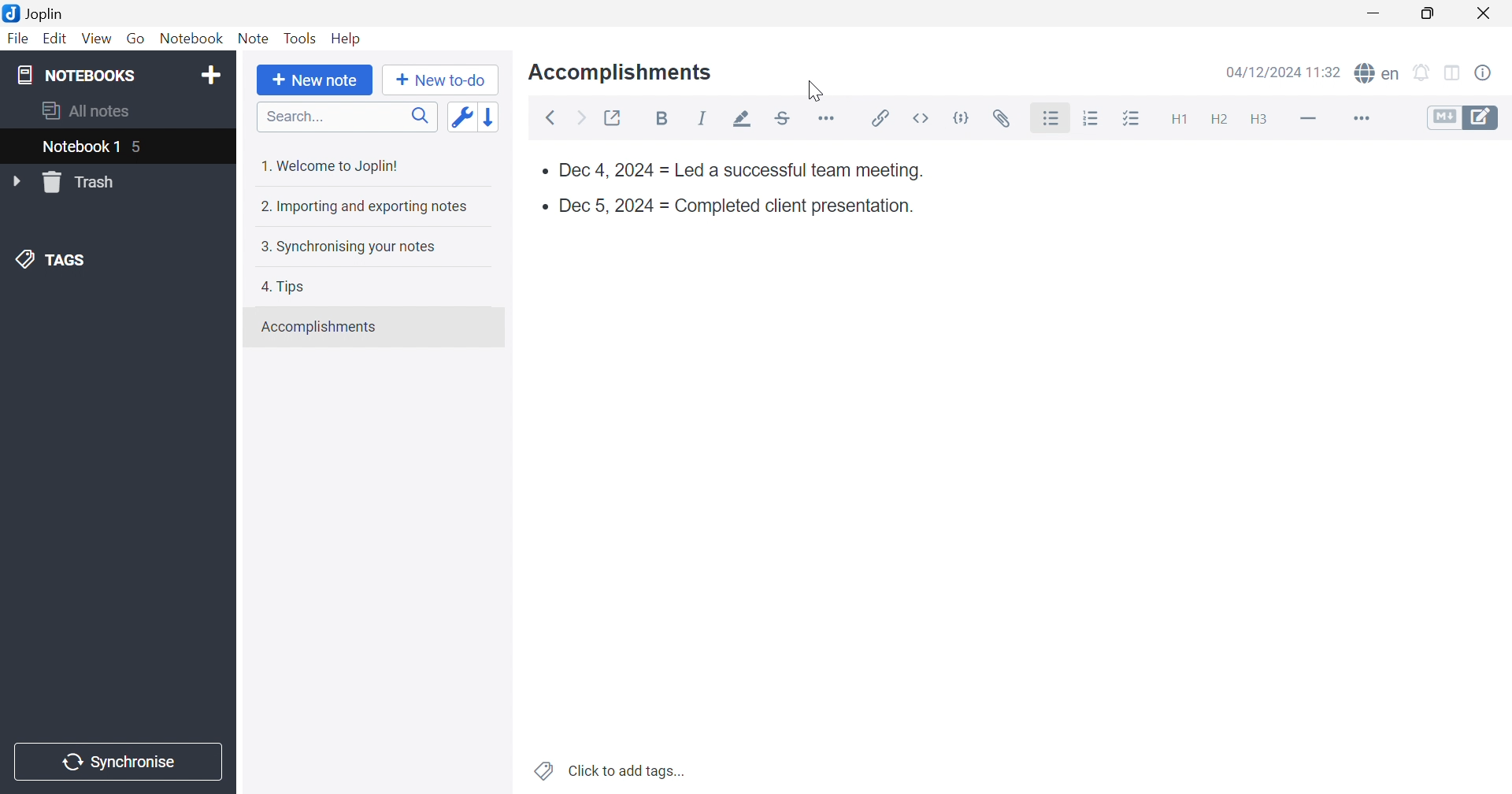  I want to click on Horizontal, so click(828, 118).